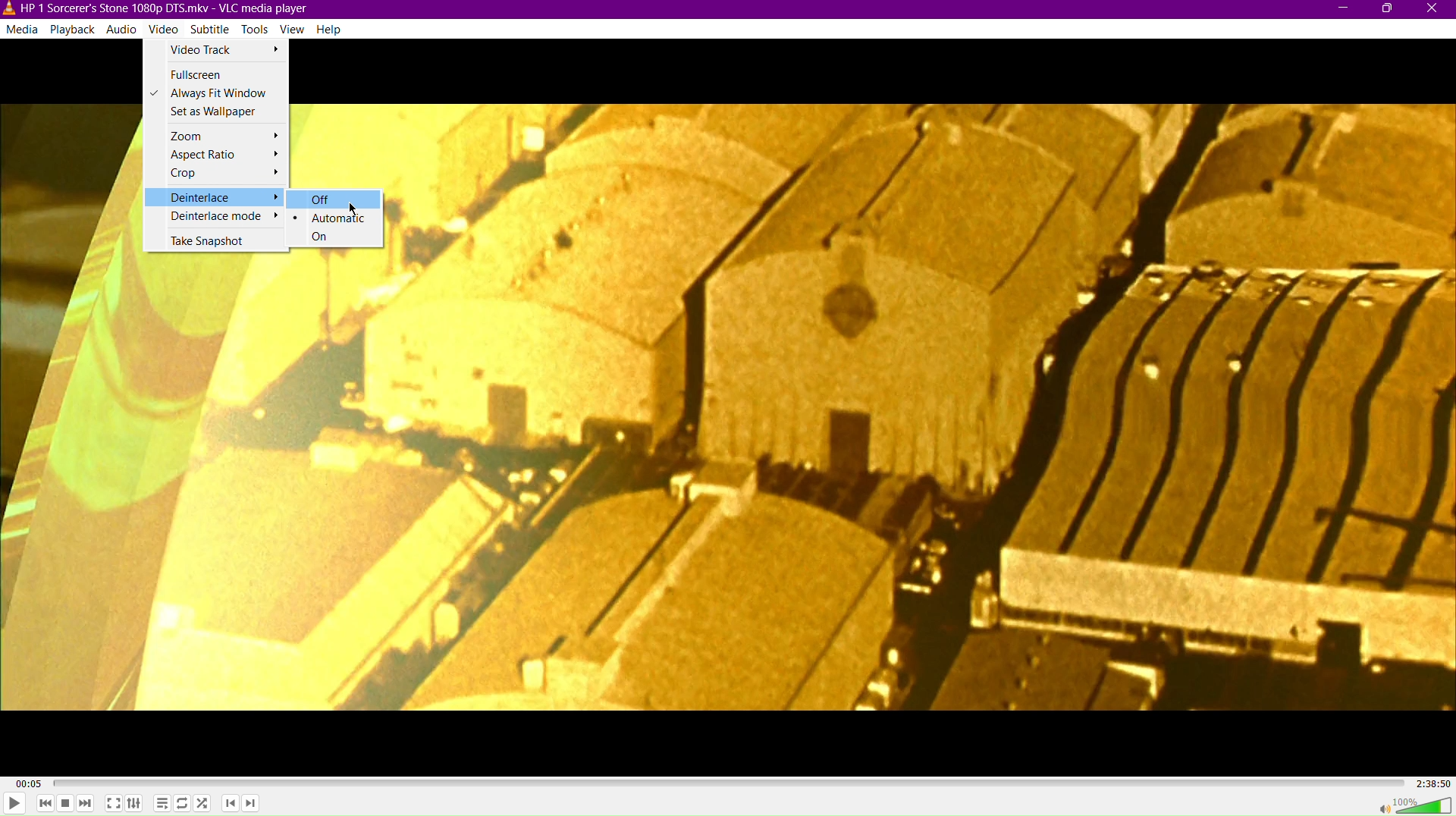 This screenshot has width=1456, height=816. I want to click on Off, so click(334, 198).